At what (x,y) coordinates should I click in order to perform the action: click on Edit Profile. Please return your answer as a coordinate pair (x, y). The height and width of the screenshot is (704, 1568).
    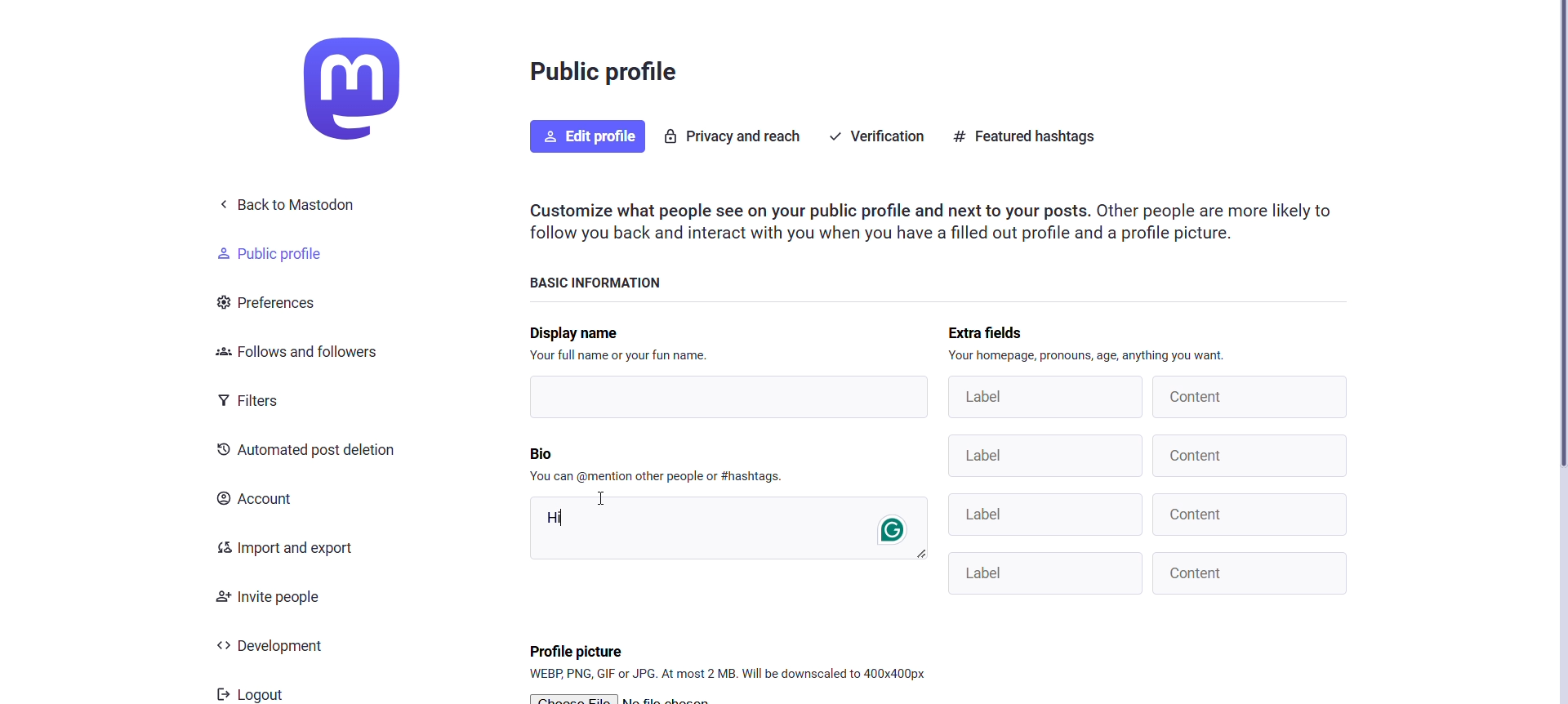
    Looking at the image, I should click on (585, 136).